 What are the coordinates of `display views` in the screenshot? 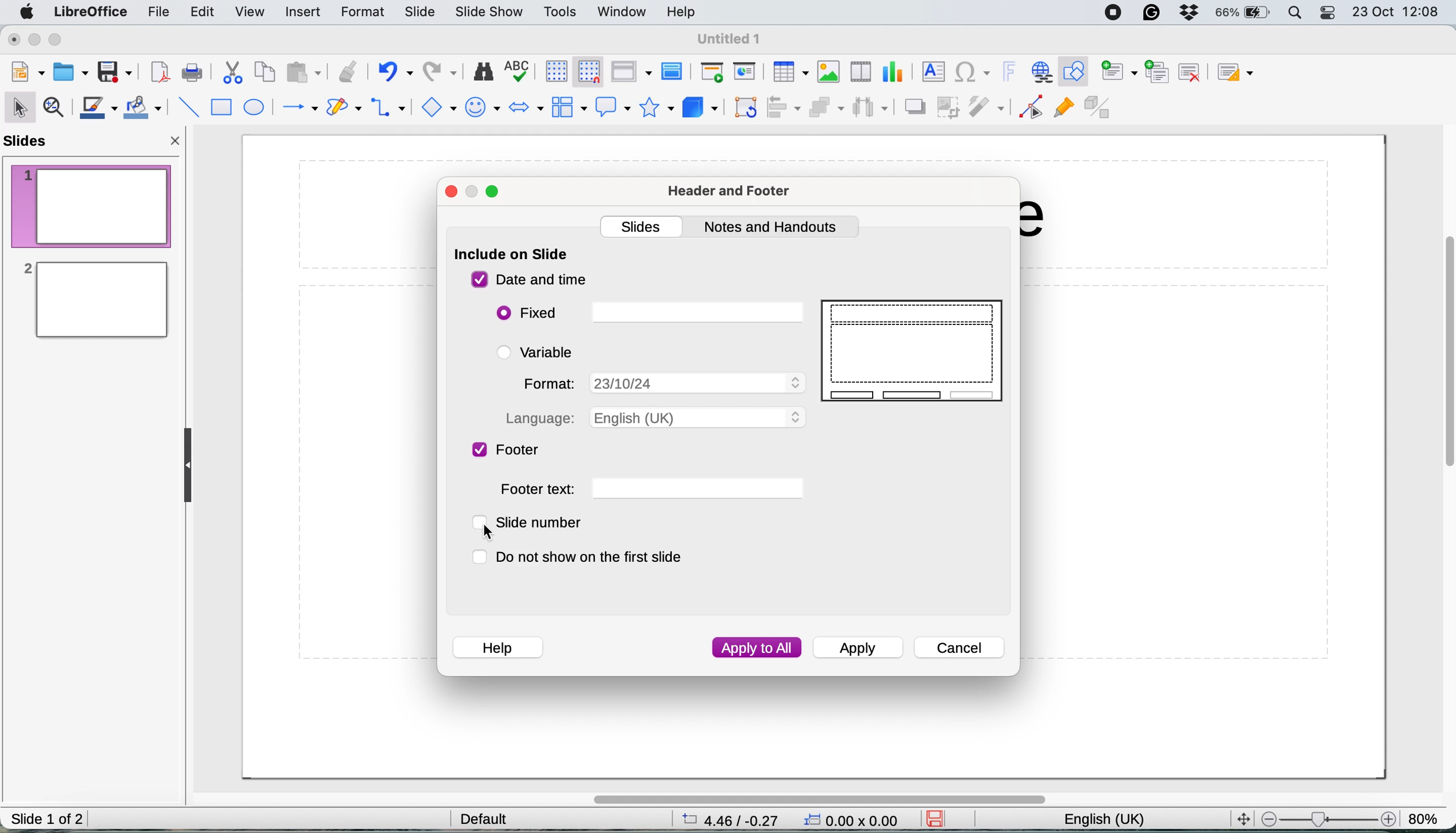 It's located at (630, 72).